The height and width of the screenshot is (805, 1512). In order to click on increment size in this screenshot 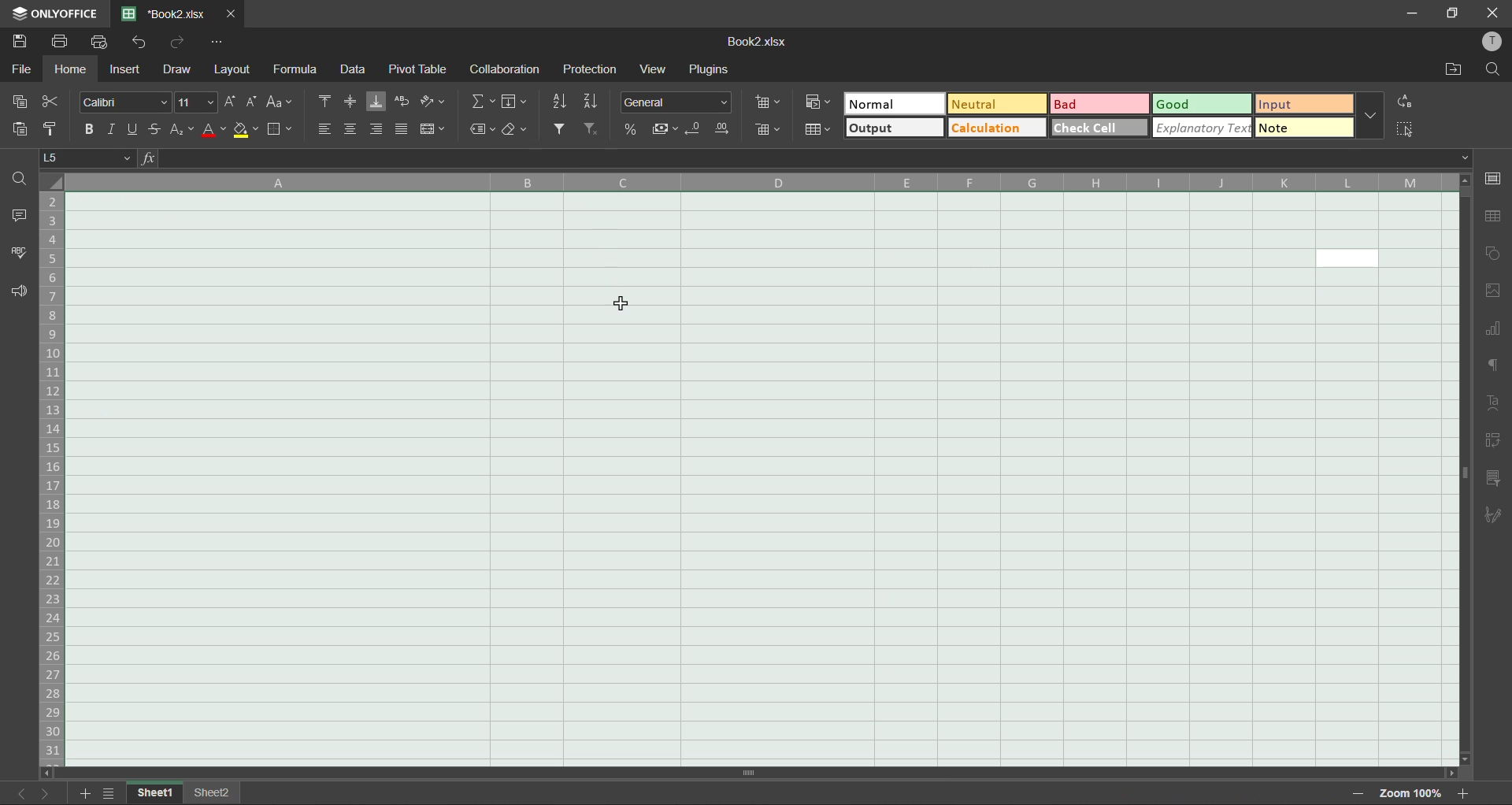, I will do `click(232, 102)`.